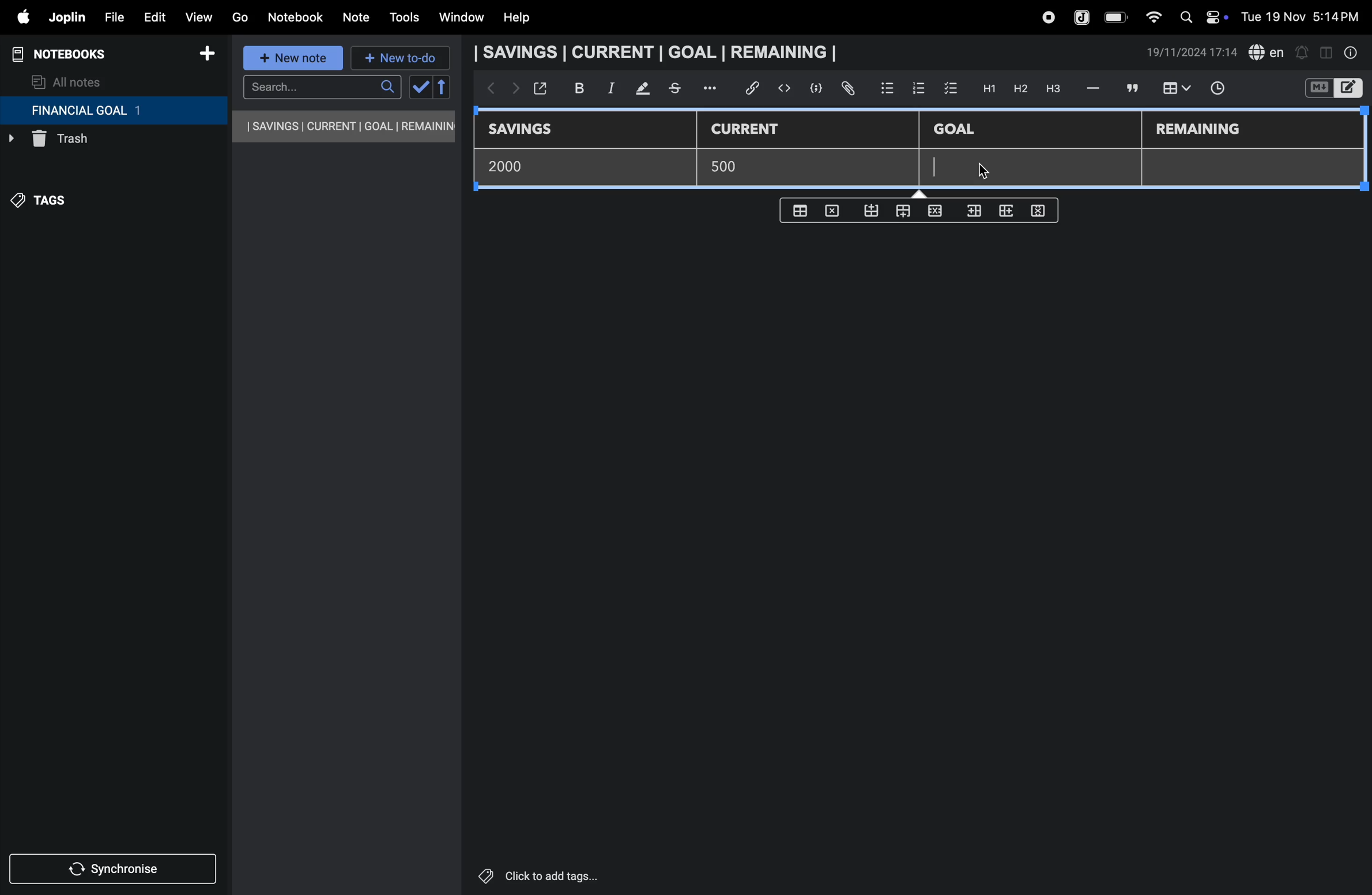 The width and height of the screenshot is (1372, 895). What do you see at coordinates (756, 88) in the screenshot?
I see `hyper link` at bounding box center [756, 88].